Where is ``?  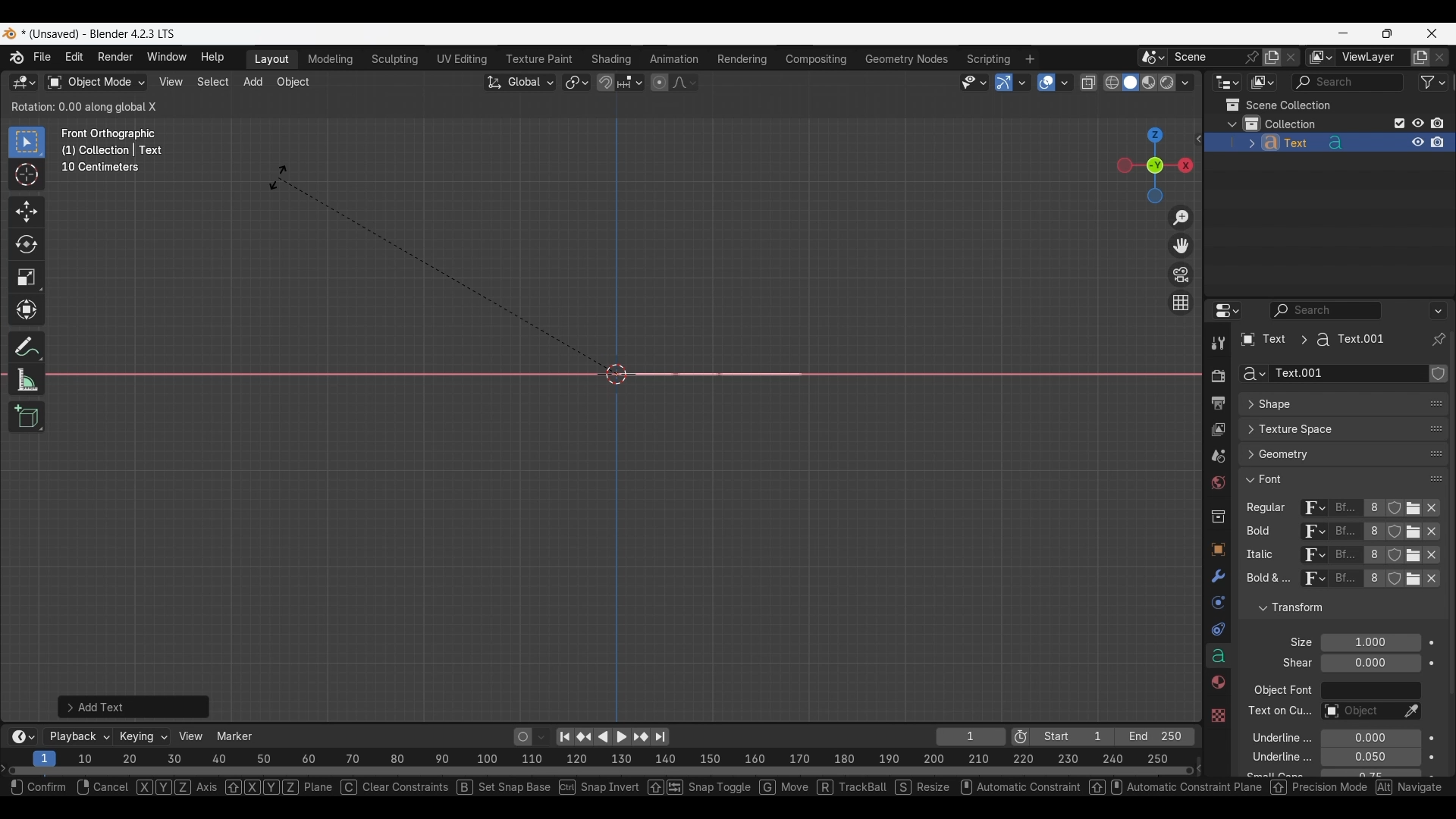  is located at coordinates (1278, 713).